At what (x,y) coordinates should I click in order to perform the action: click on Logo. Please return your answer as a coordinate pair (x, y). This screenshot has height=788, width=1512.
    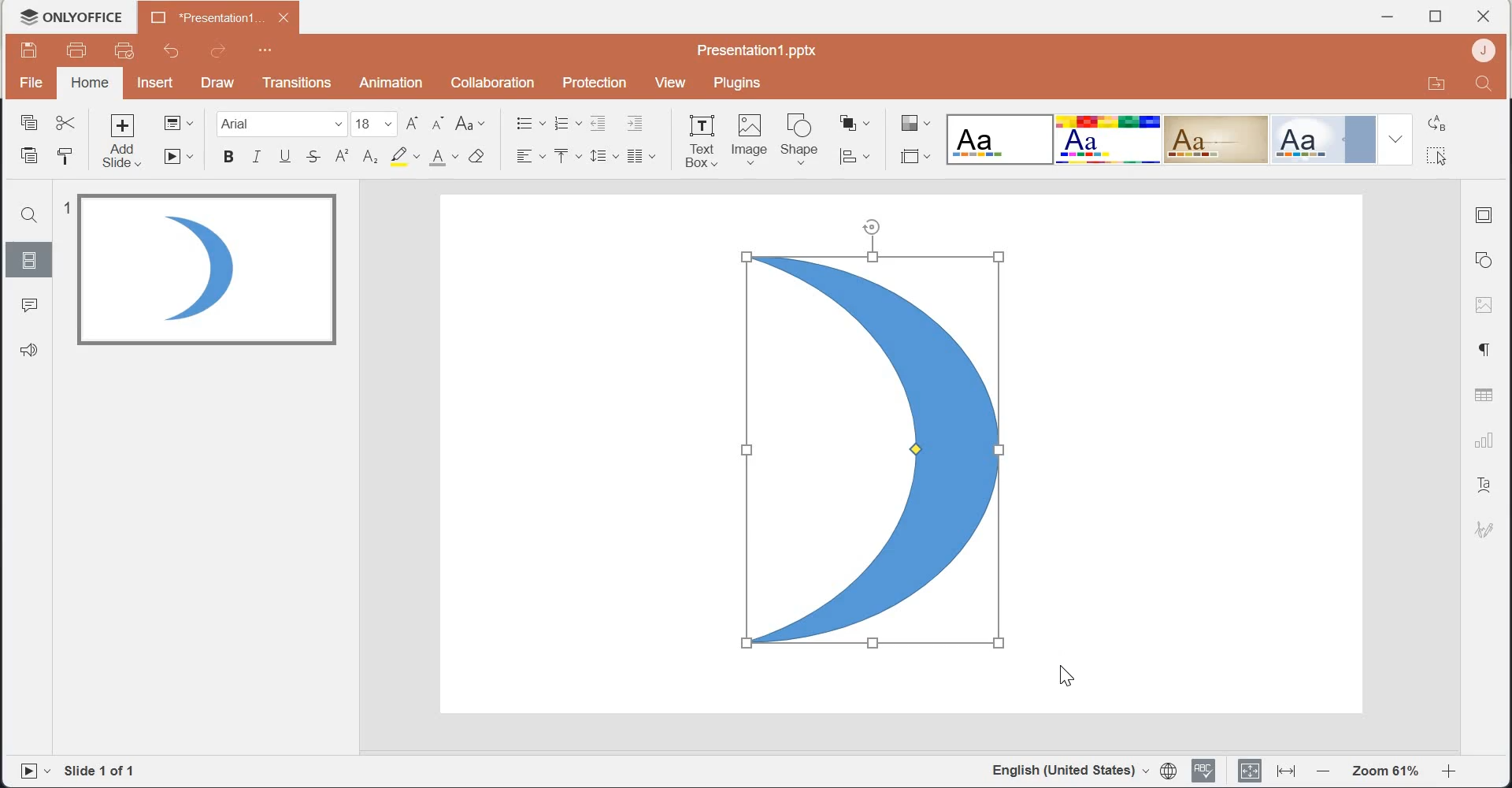
    Looking at the image, I should click on (70, 17).